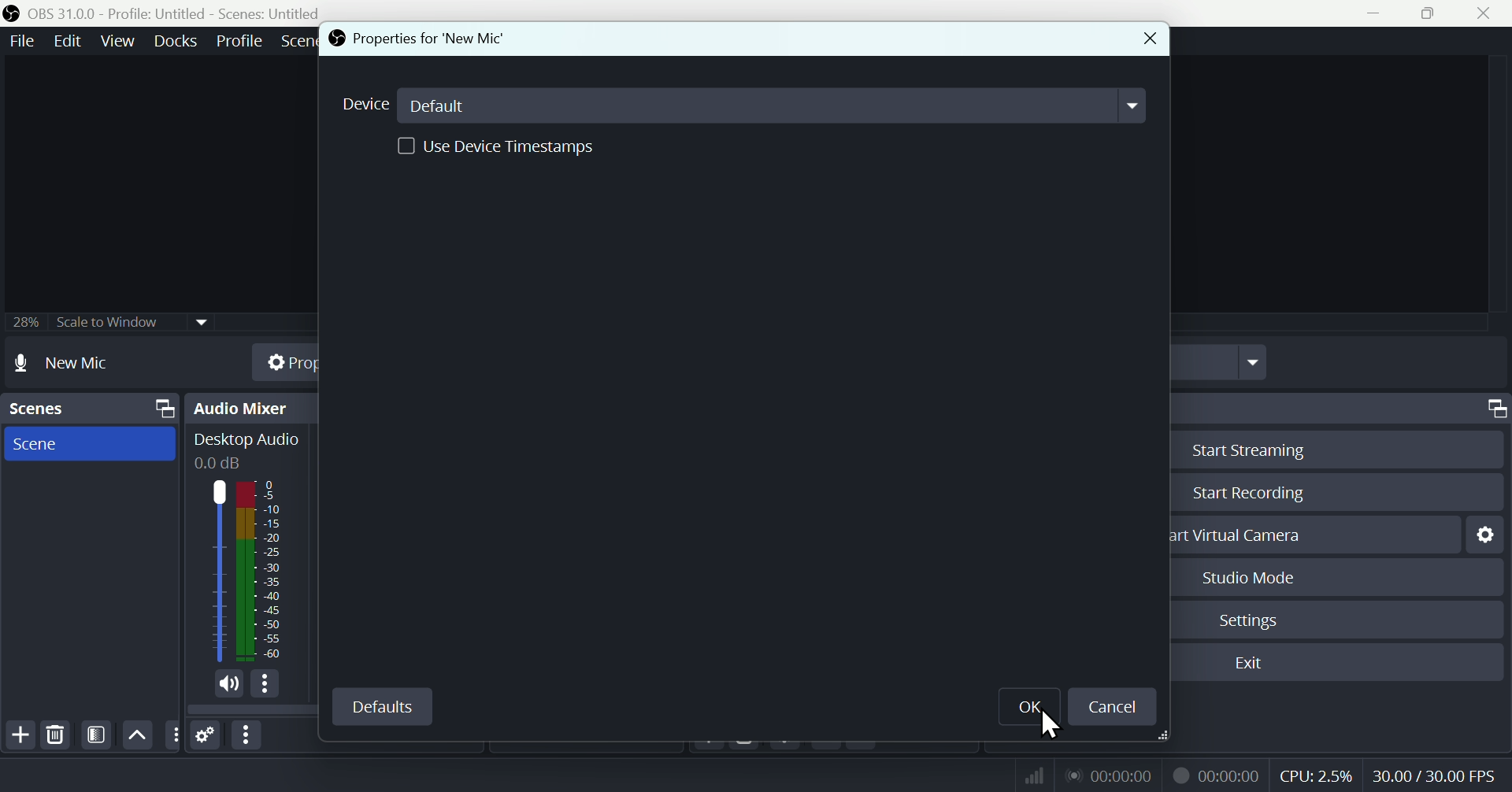  What do you see at coordinates (1217, 775) in the screenshot?
I see `Recording Status` at bounding box center [1217, 775].